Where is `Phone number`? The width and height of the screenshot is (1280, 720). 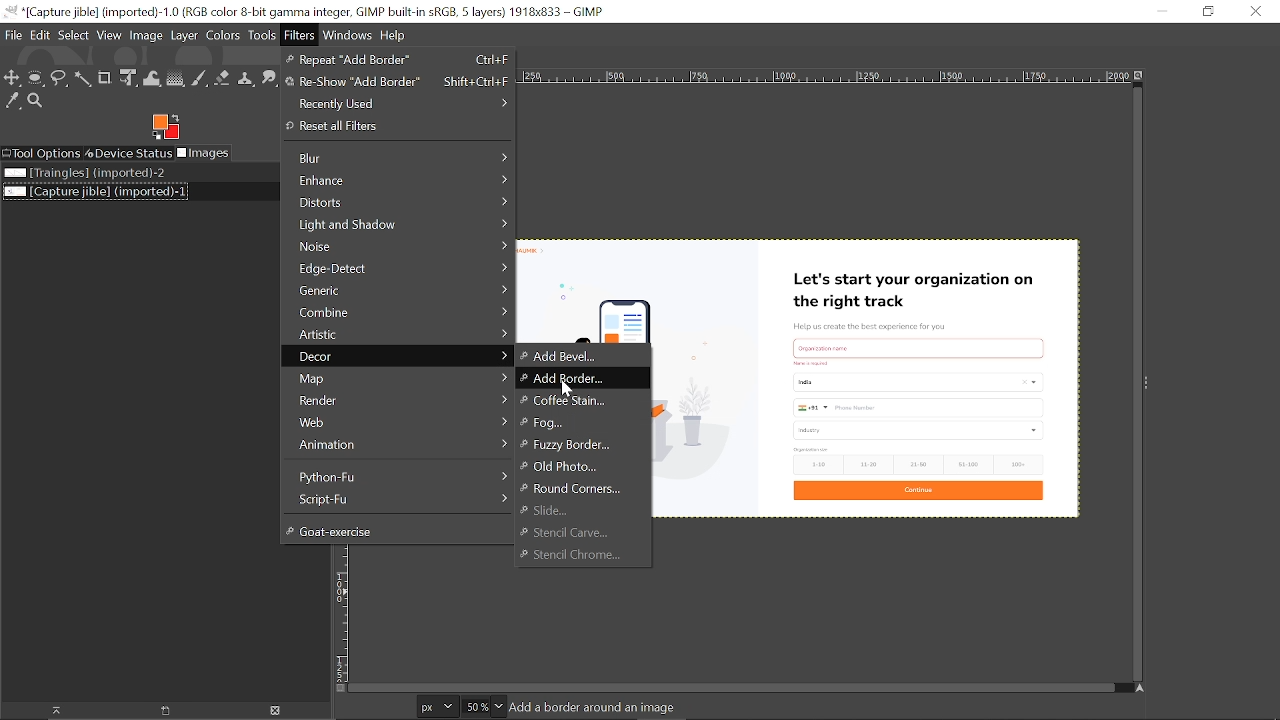
Phone number is located at coordinates (921, 407).